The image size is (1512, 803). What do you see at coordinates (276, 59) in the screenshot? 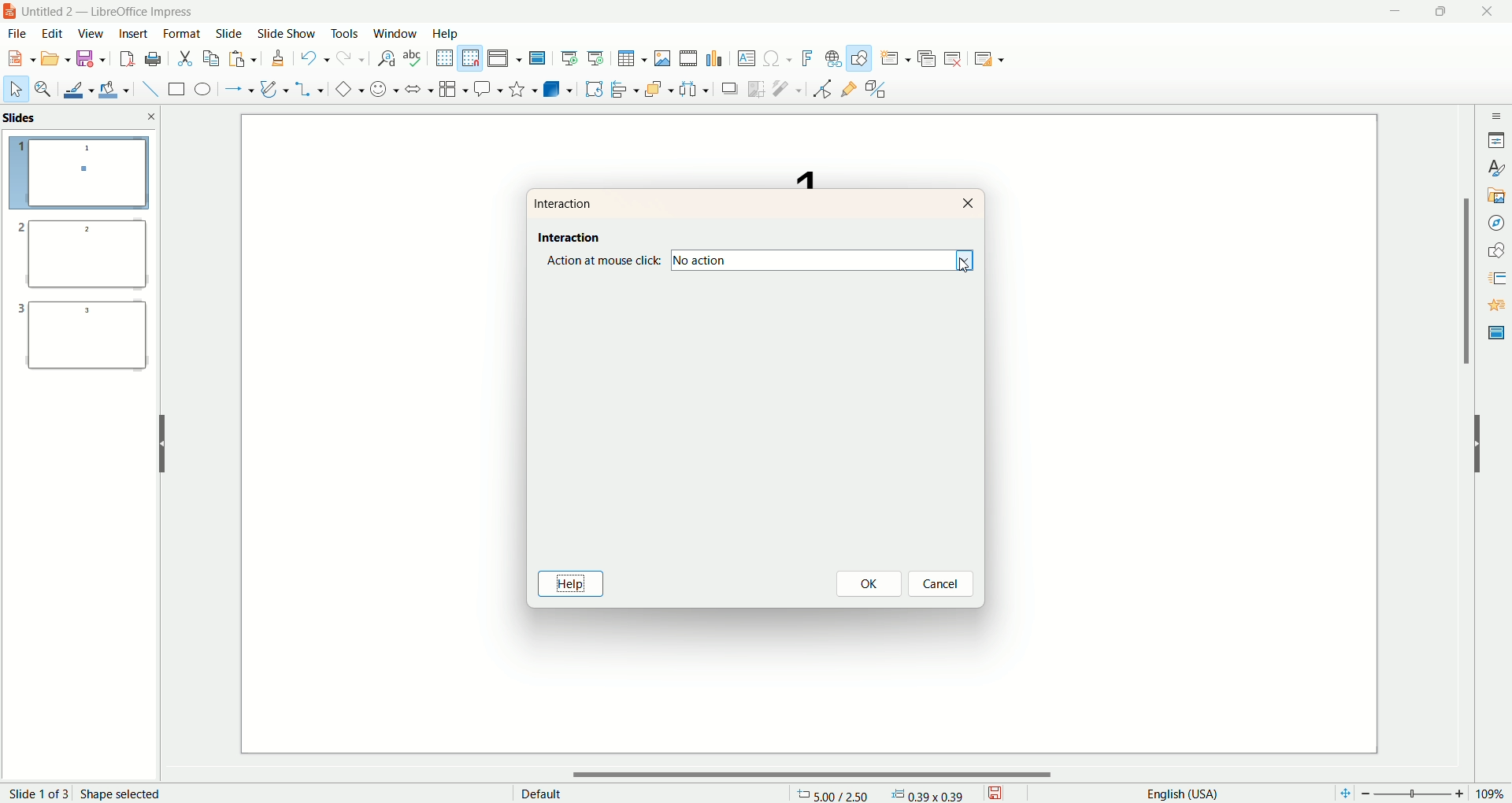
I see `clone formatting` at bounding box center [276, 59].